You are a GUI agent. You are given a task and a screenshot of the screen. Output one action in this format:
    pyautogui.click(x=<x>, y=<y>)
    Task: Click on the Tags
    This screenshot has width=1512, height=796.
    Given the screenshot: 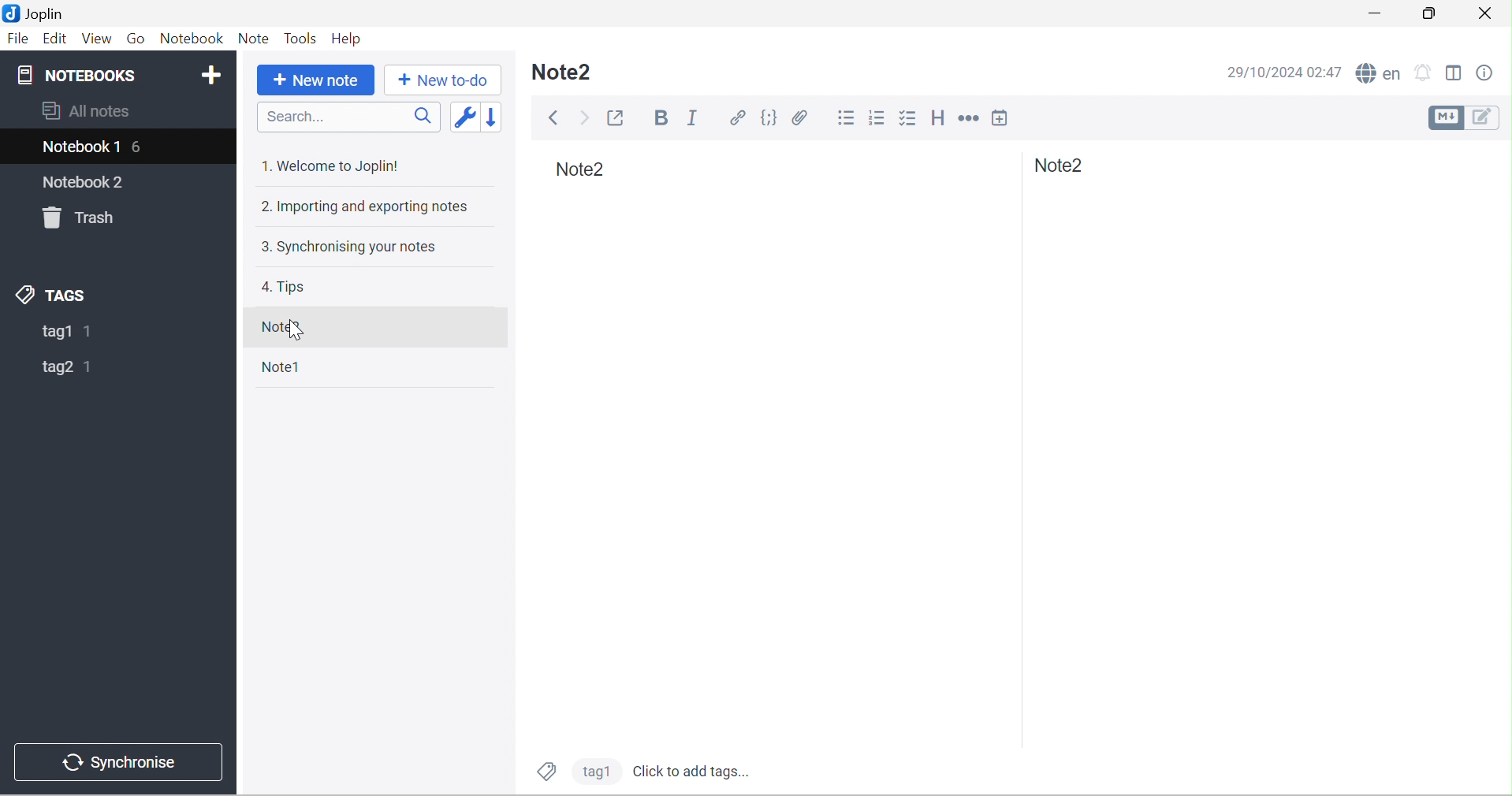 What is the action you would take?
    pyautogui.click(x=546, y=772)
    